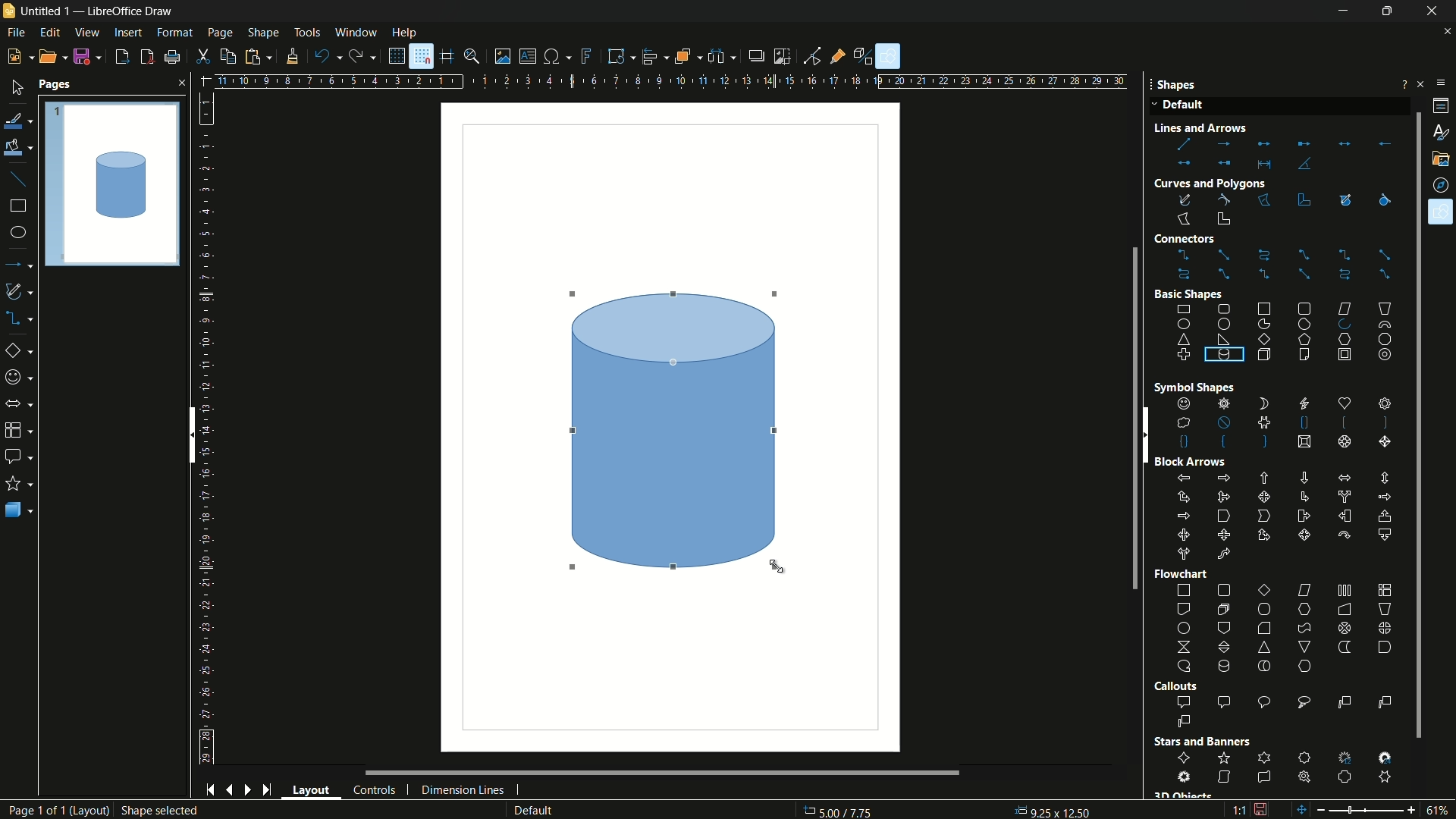 This screenshot has width=1456, height=819. I want to click on Stars, so click(1207, 742).